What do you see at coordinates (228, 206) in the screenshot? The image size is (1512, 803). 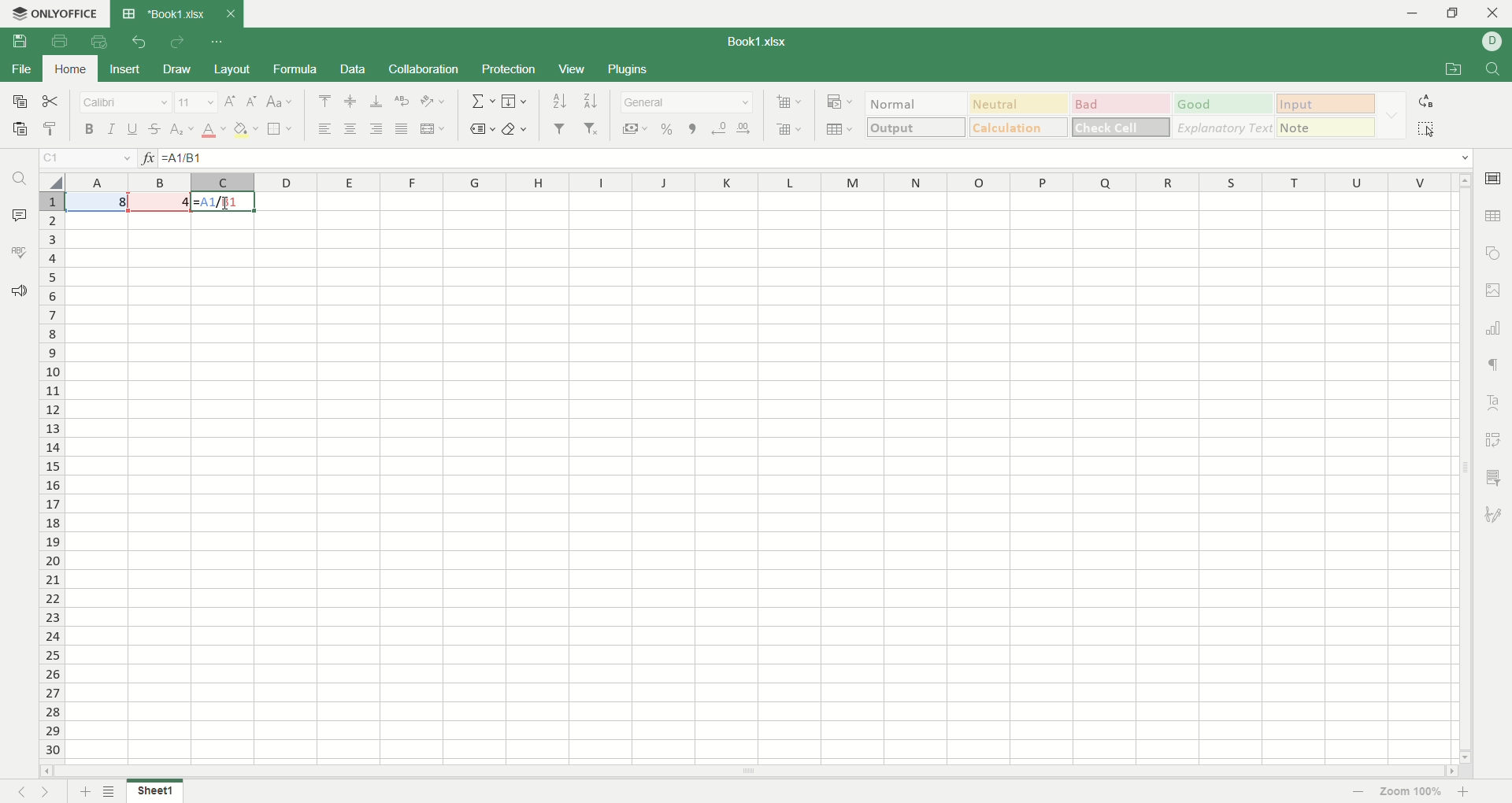 I see `cursor` at bounding box center [228, 206].